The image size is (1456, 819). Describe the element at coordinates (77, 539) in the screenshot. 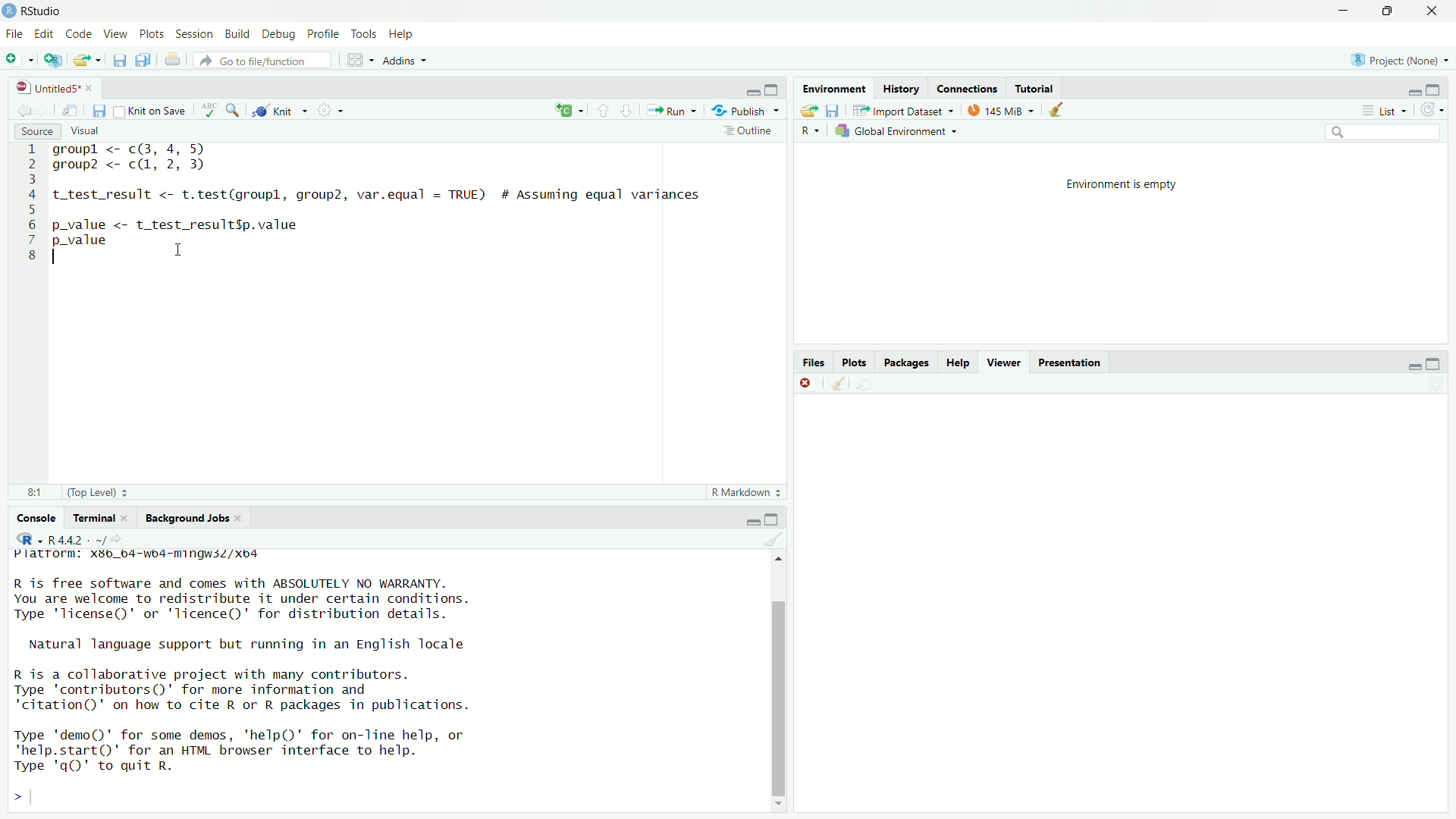

I see `R 4.4.2` at that location.